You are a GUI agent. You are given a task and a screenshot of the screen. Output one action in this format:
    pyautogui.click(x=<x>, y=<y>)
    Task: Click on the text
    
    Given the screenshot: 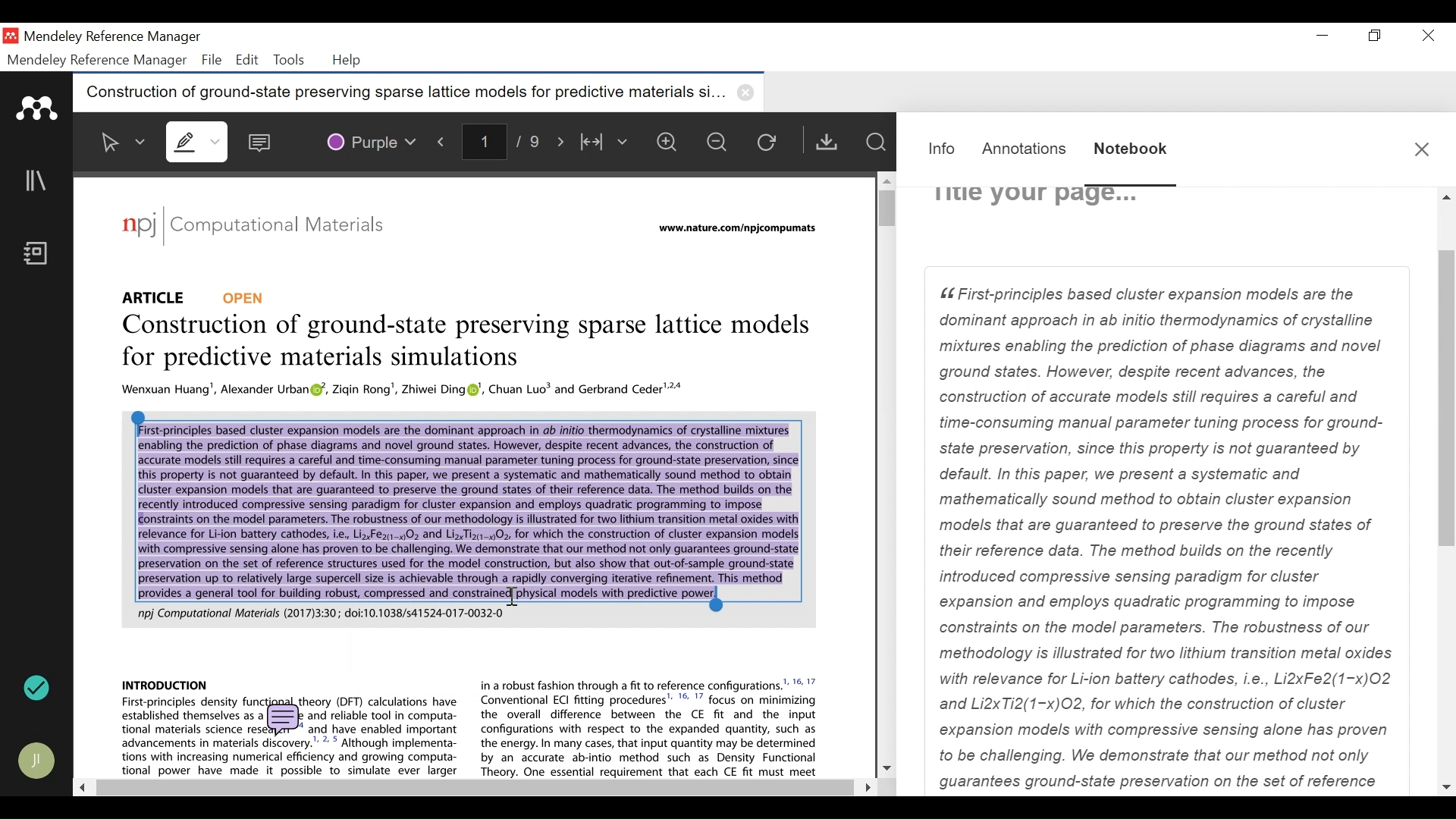 What is the action you would take?
    pyautogui.click(x=318, y=613)
    